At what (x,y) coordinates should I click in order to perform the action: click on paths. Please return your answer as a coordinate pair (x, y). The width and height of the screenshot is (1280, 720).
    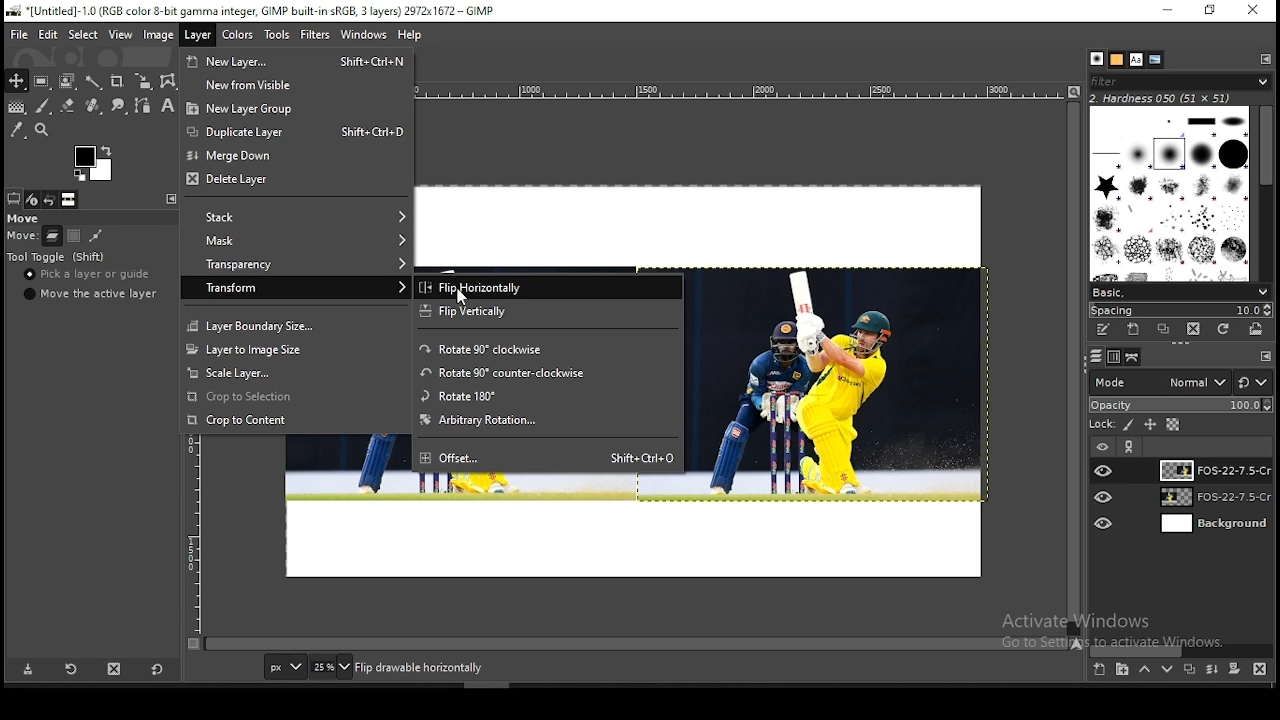
    Looking at the image, I should click on (1134, 357).